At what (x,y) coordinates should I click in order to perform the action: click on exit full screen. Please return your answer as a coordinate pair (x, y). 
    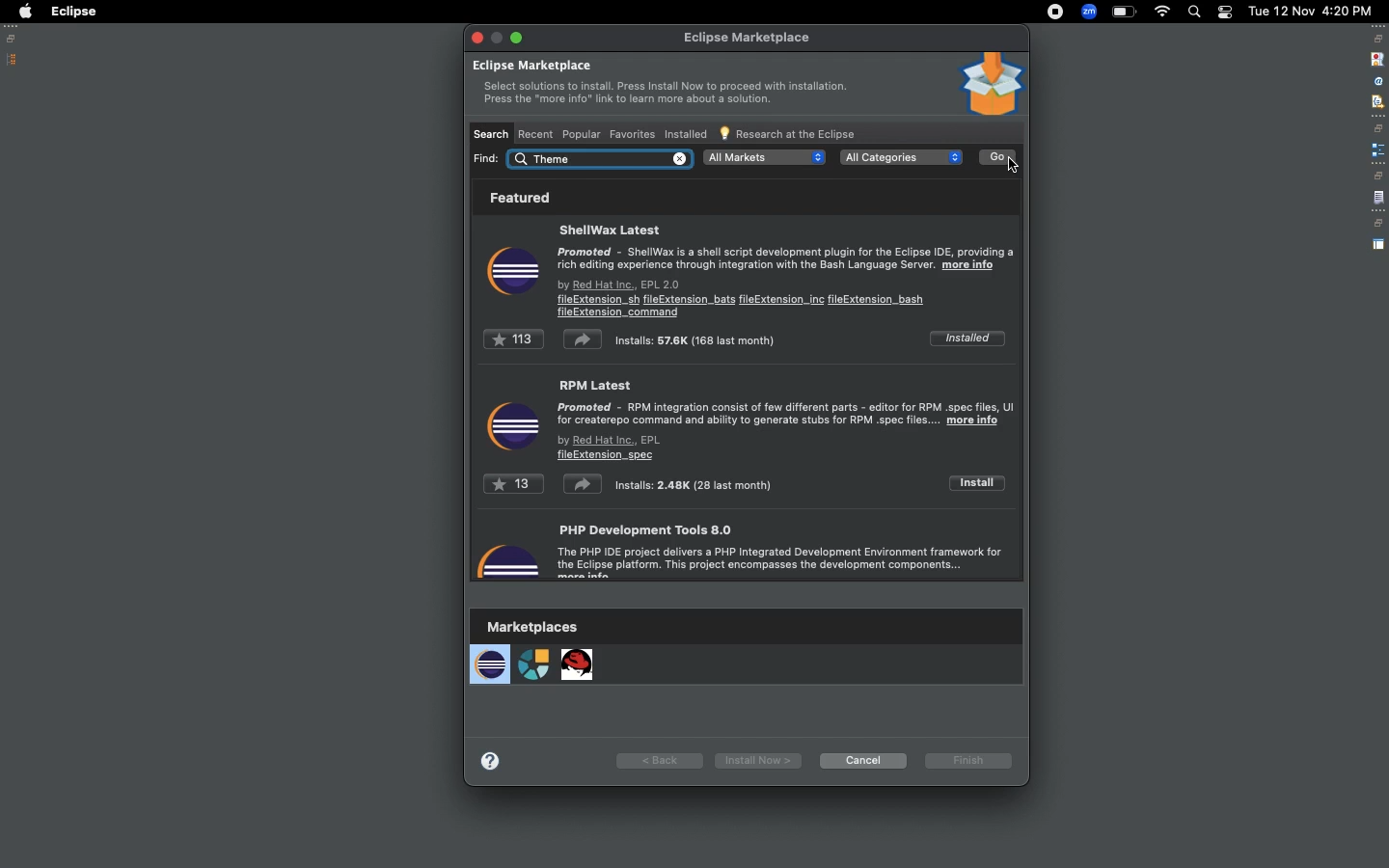
    Looking at the image, I should click on (519, 38).